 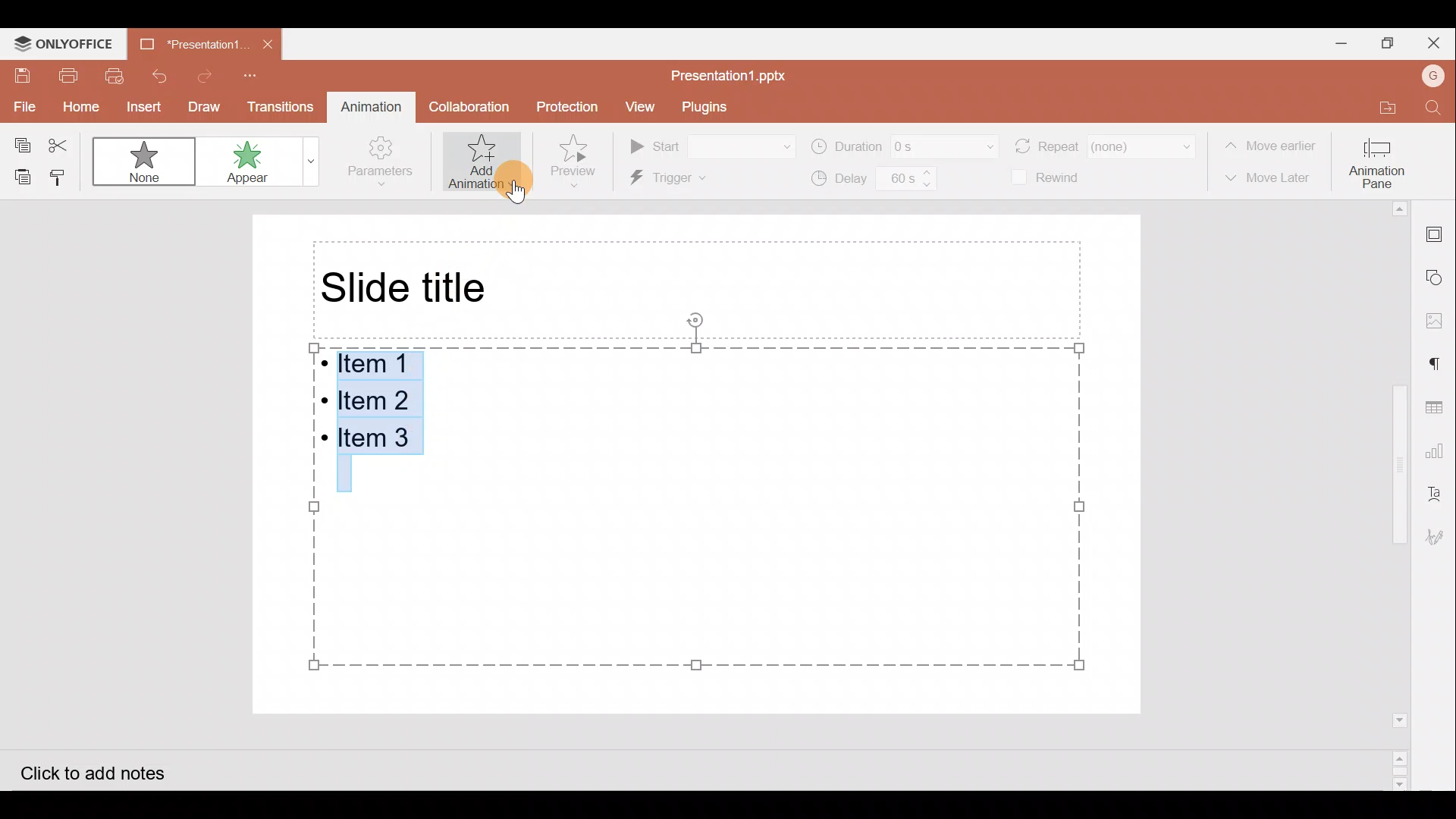 What do you see at coordinates (708, 105) in the screenshot?
I see `Plugins` at bounding box center [708, 105].